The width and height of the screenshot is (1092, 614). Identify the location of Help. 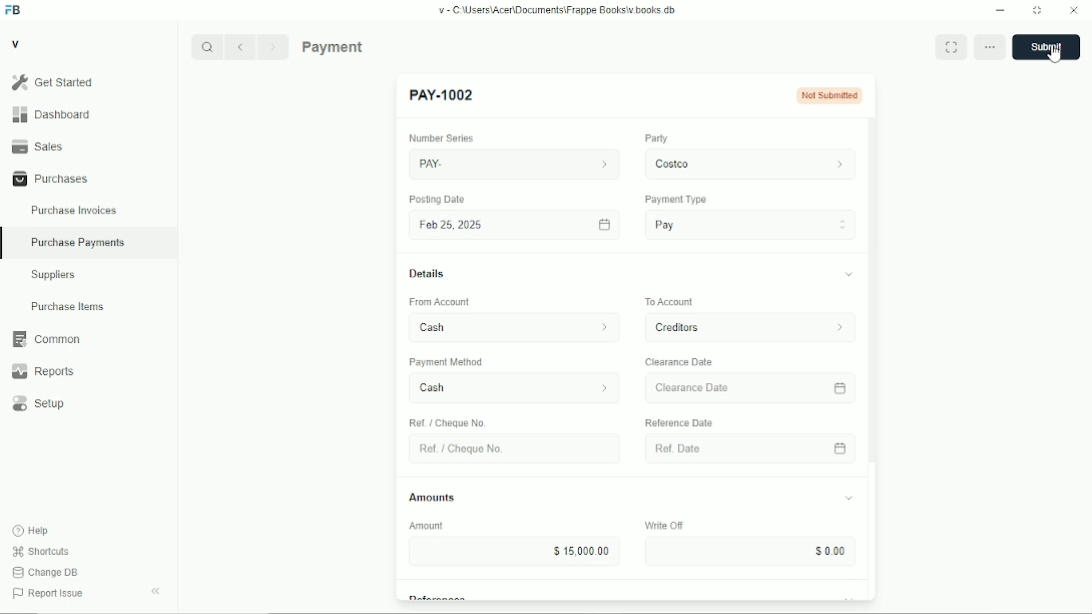
(31, 531).